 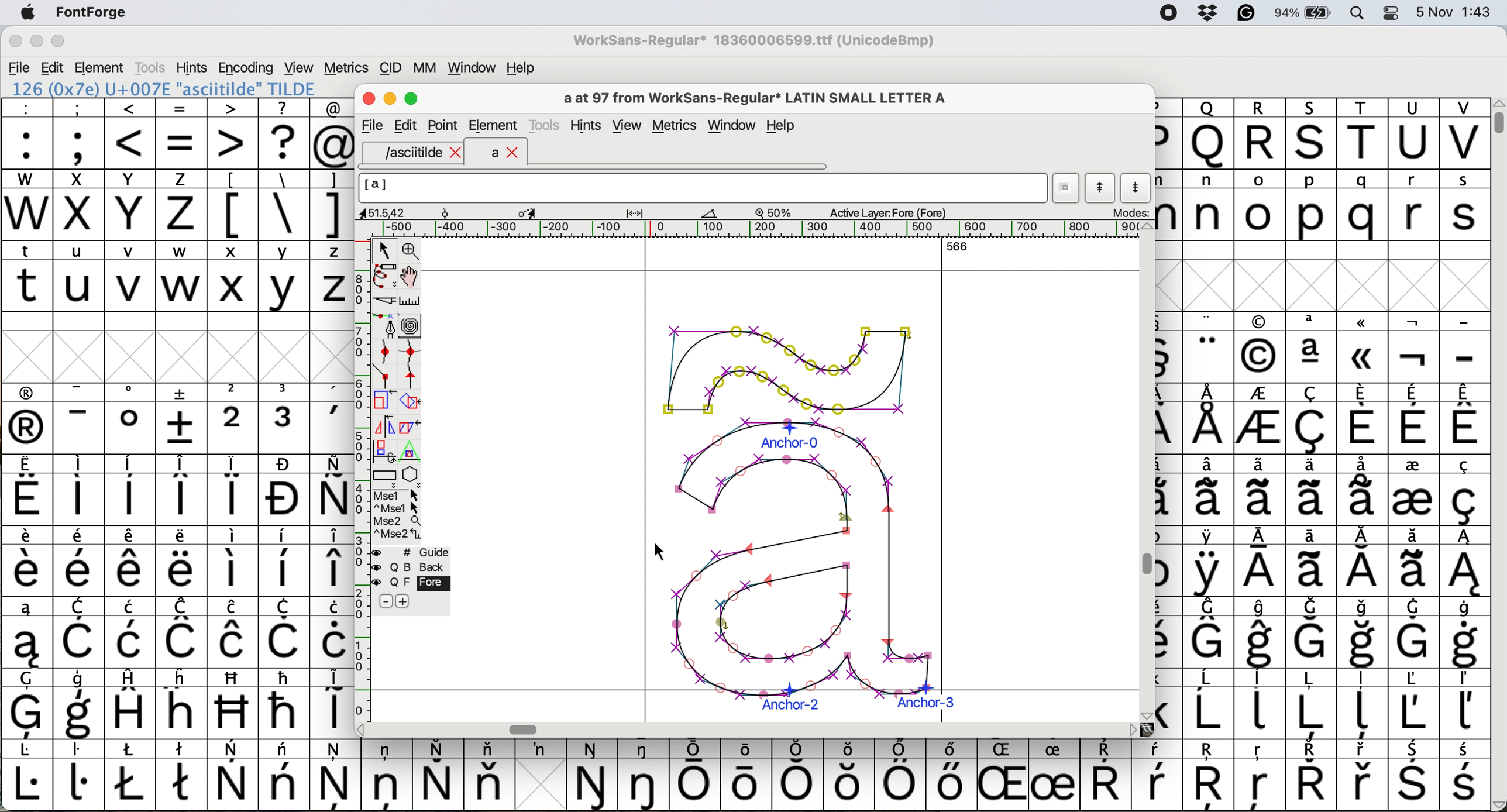 I want to click on zoom in, so click(x=413, y=252).